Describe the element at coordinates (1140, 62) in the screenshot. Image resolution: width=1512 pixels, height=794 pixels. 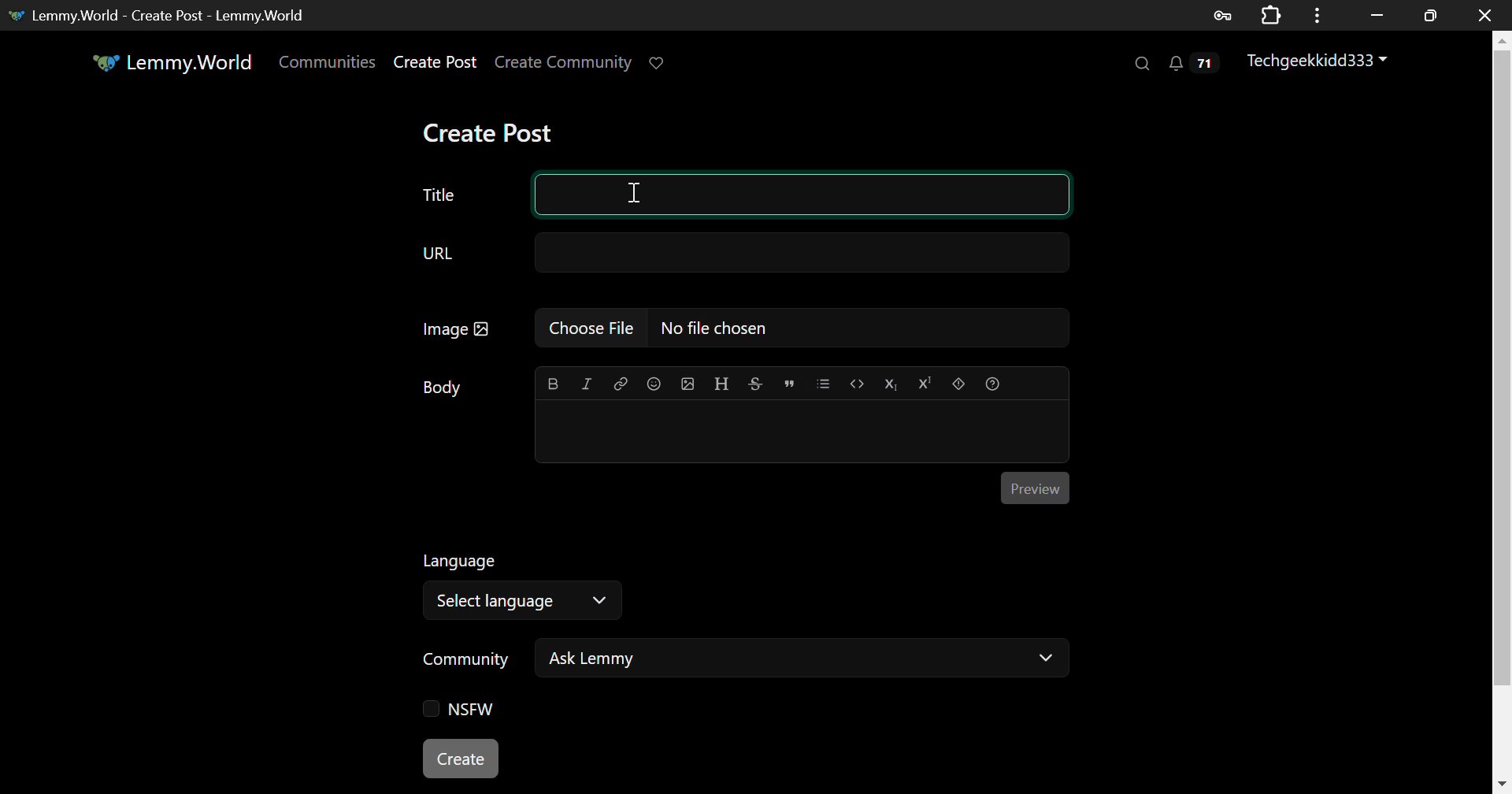
I see `Search` at that location.